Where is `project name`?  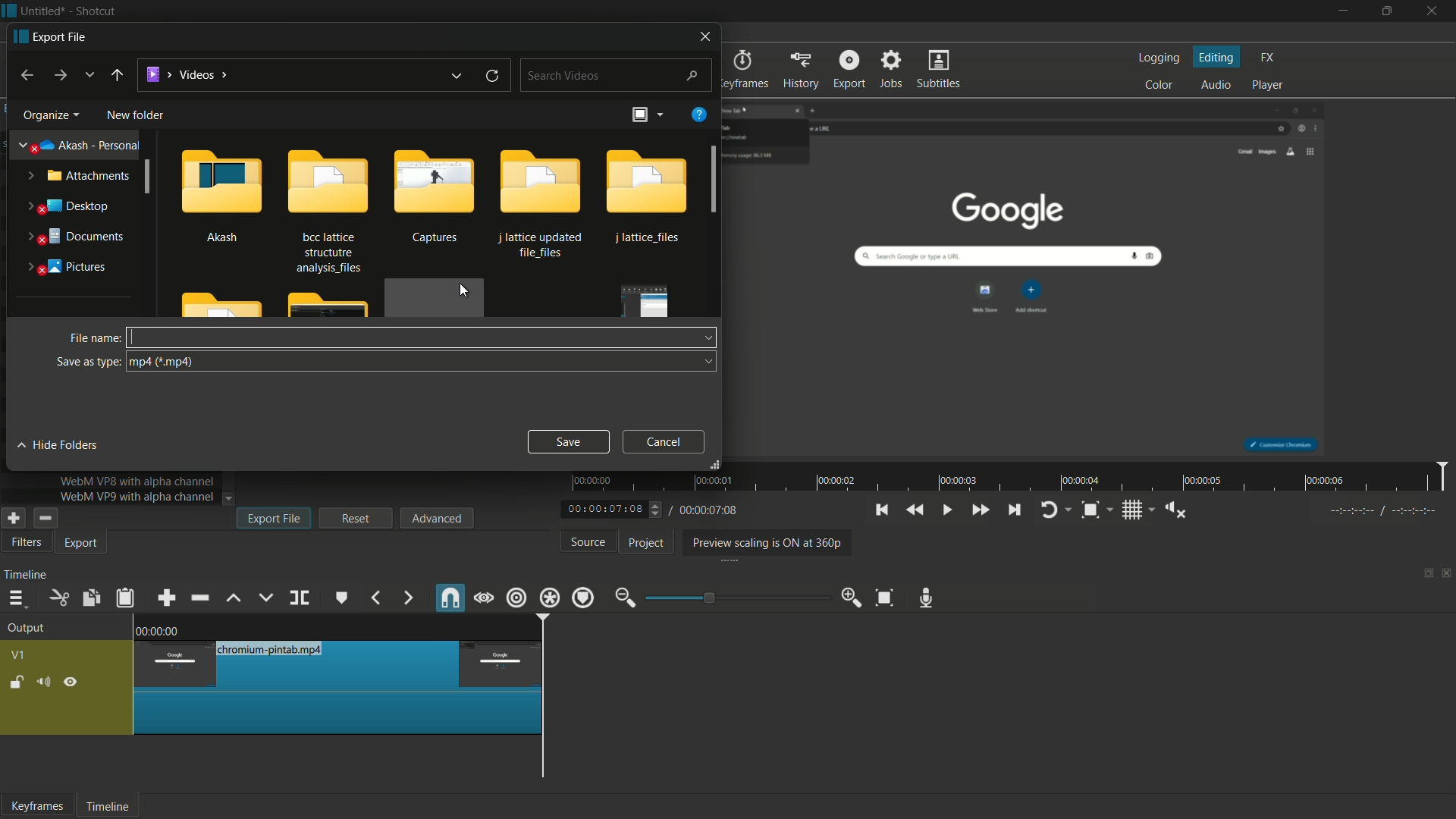 project name is located at coordinates (41, 11).